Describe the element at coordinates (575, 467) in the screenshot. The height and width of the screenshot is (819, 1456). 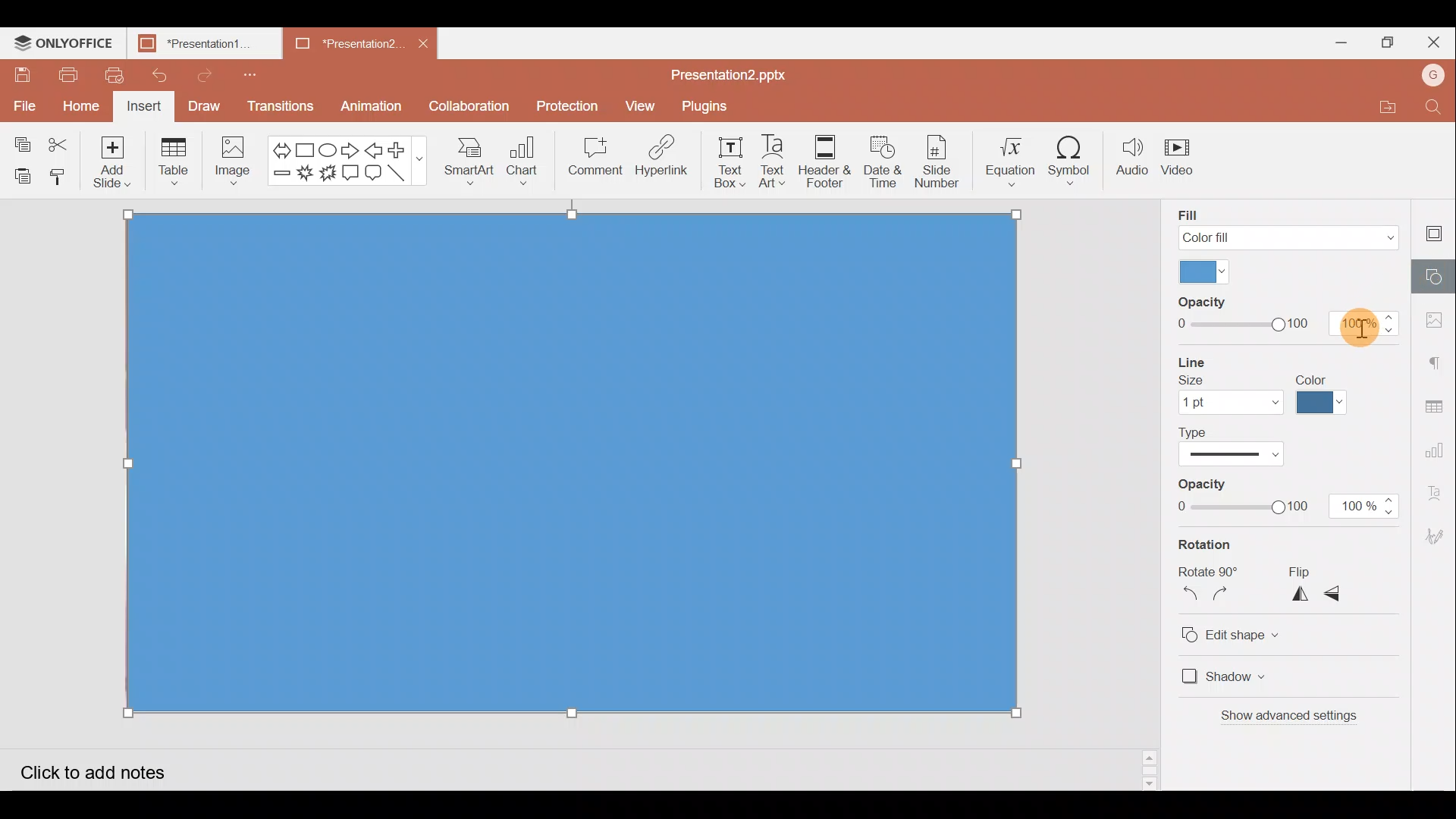
I see `Rectangle shape on background image` at that location.